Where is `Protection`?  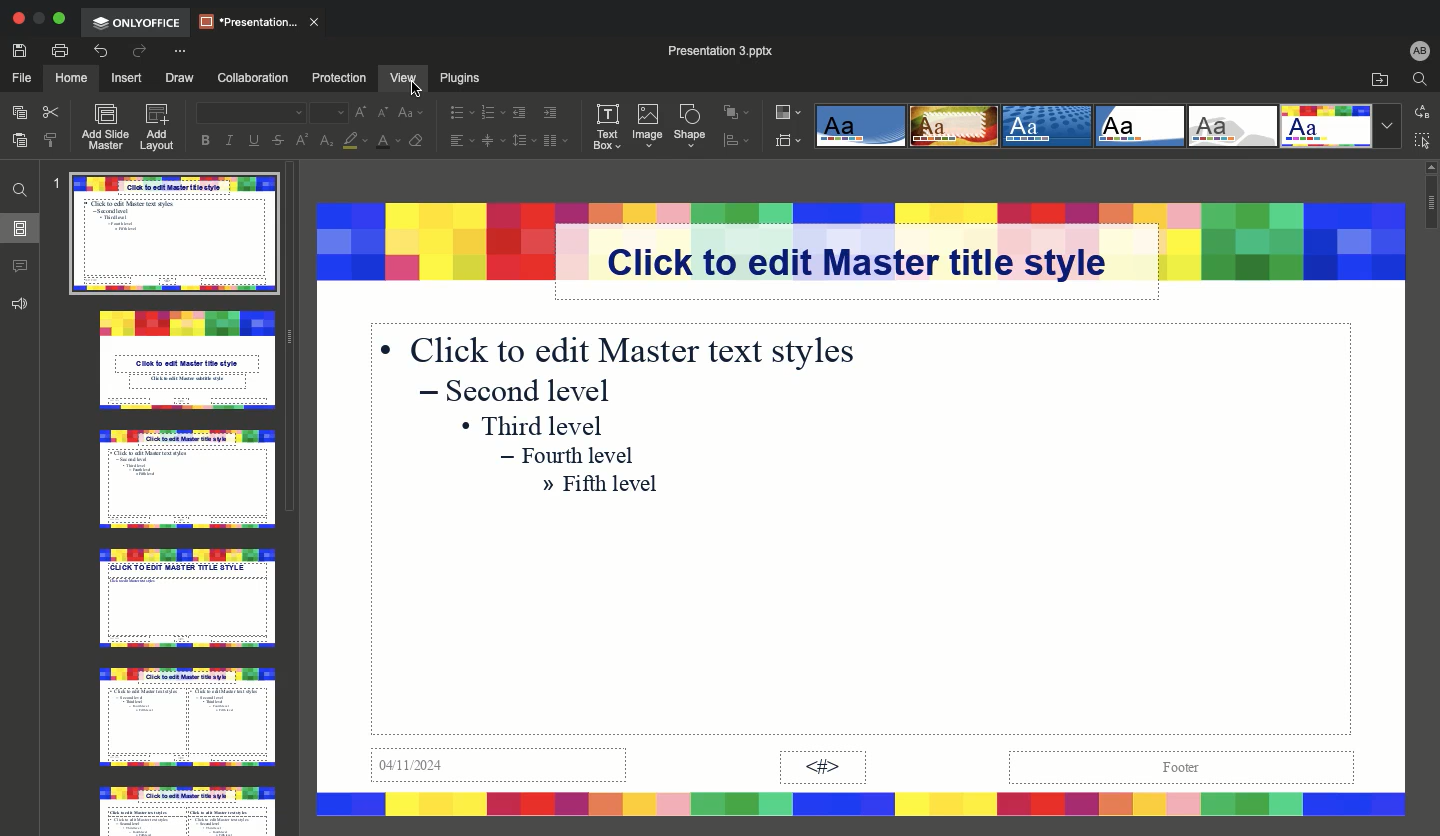
Protection is located at coordinates (331, 78).